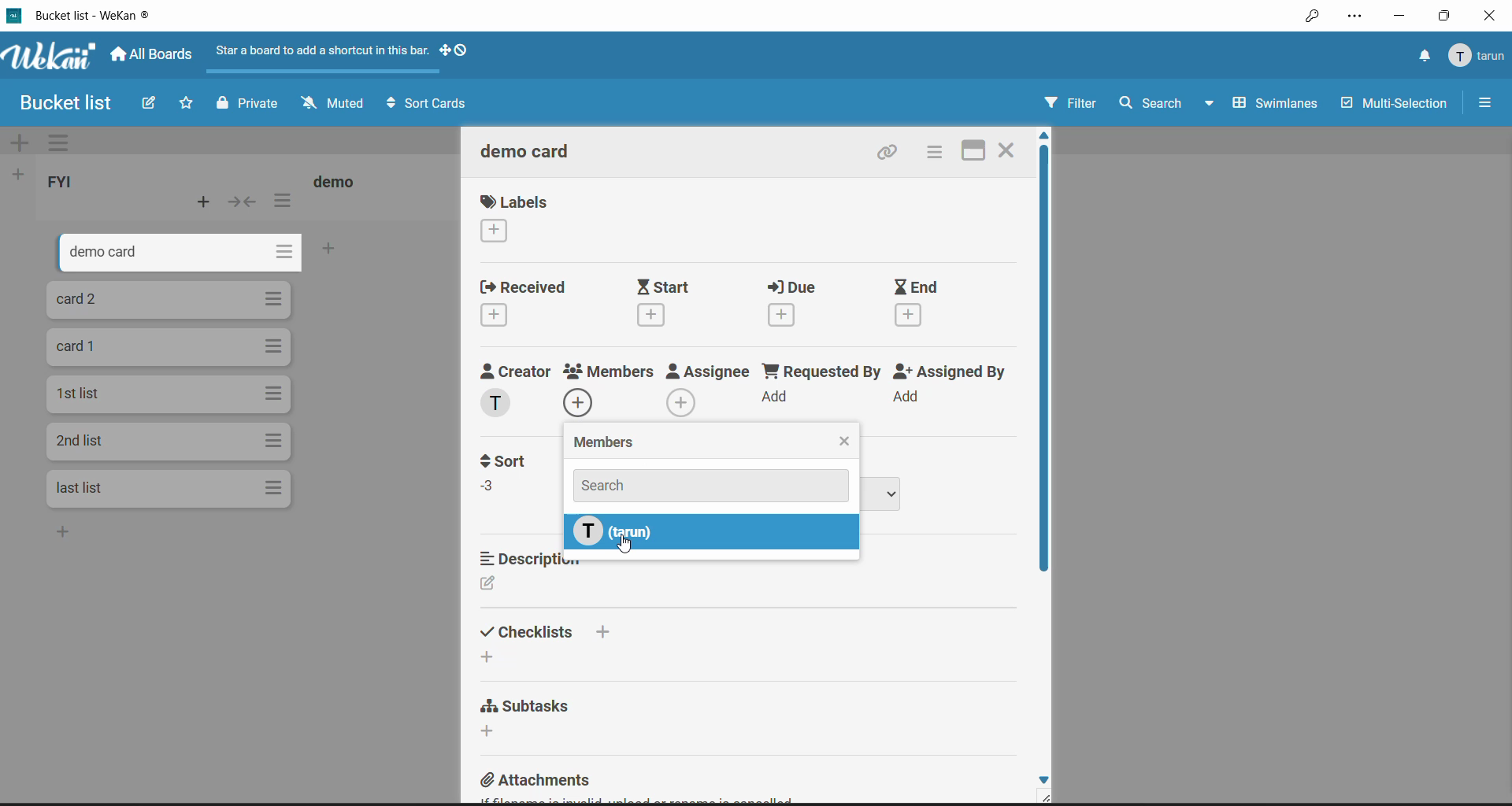  What do you see at coordinates (711, 531) in the screenshot?
I see `list of members` at bounding box center [711, 531].